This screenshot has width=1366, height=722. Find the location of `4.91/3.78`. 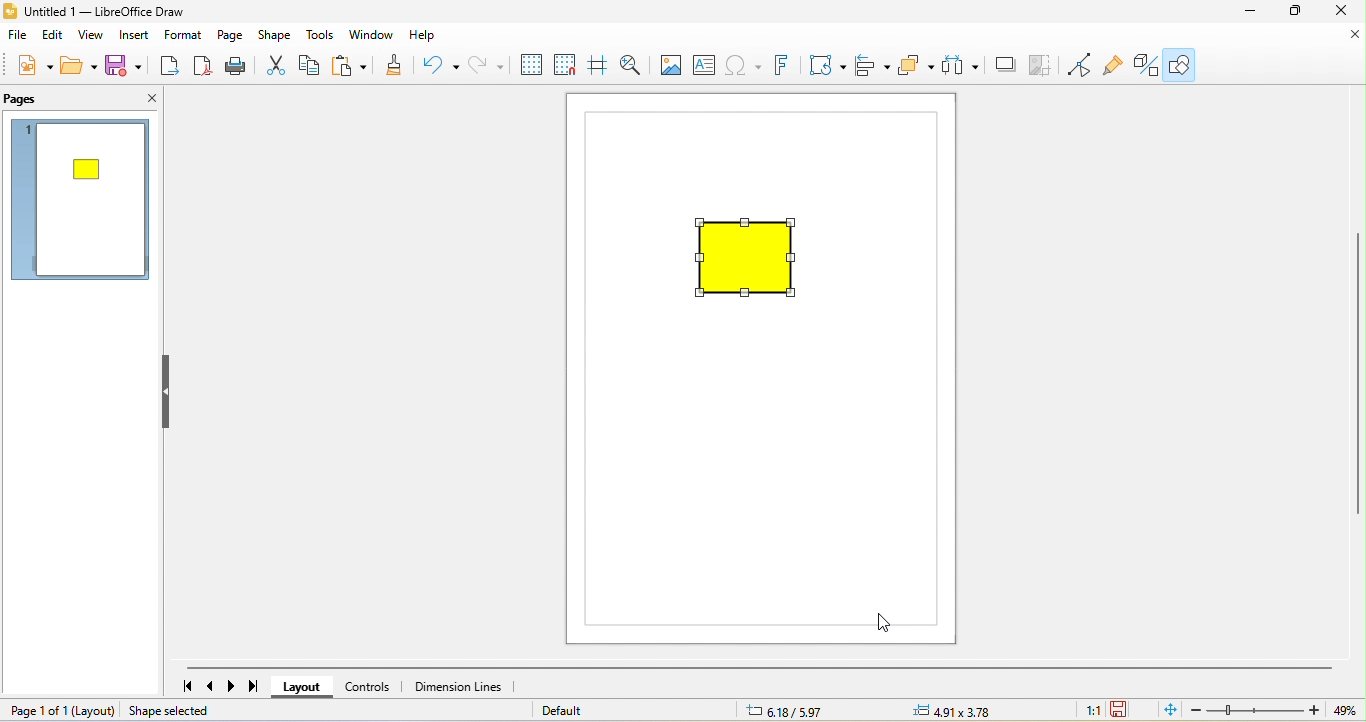

4.91/3.78 is located at coordinates (954, 711).